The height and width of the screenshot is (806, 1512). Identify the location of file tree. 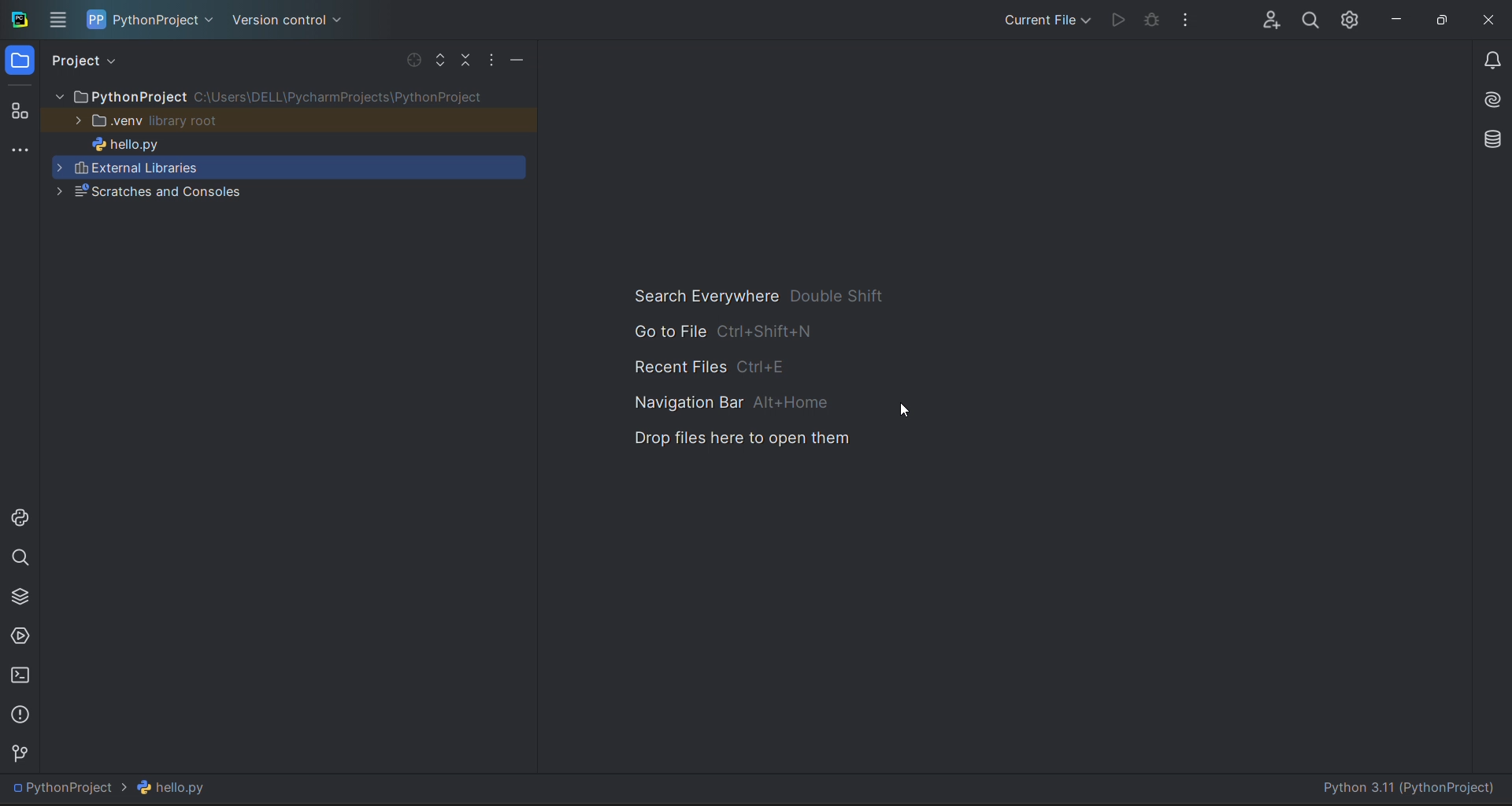
(288, 94).